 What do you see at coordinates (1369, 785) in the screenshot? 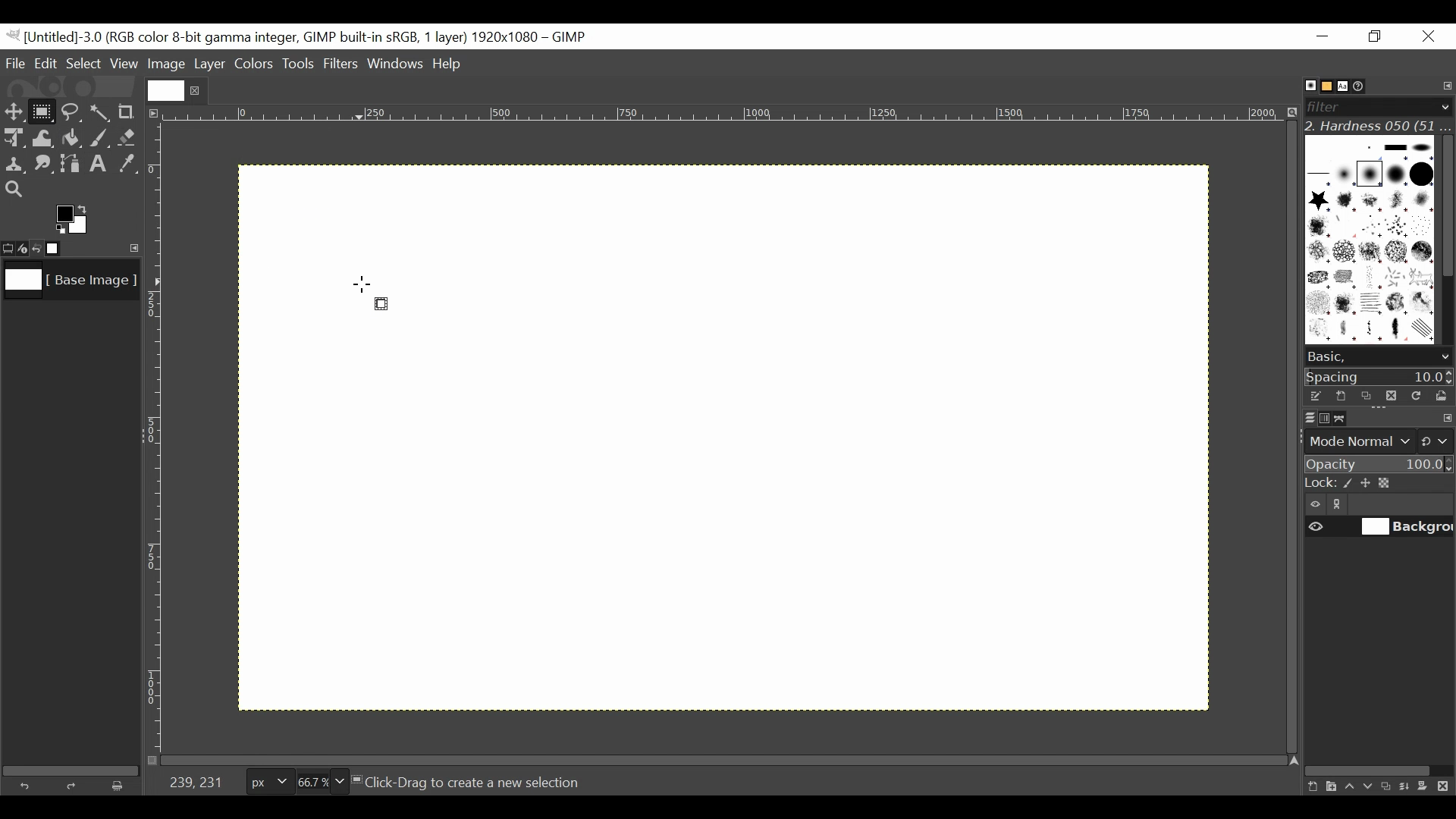
I see `Lower the layer` at bounding box center [1369, 785].